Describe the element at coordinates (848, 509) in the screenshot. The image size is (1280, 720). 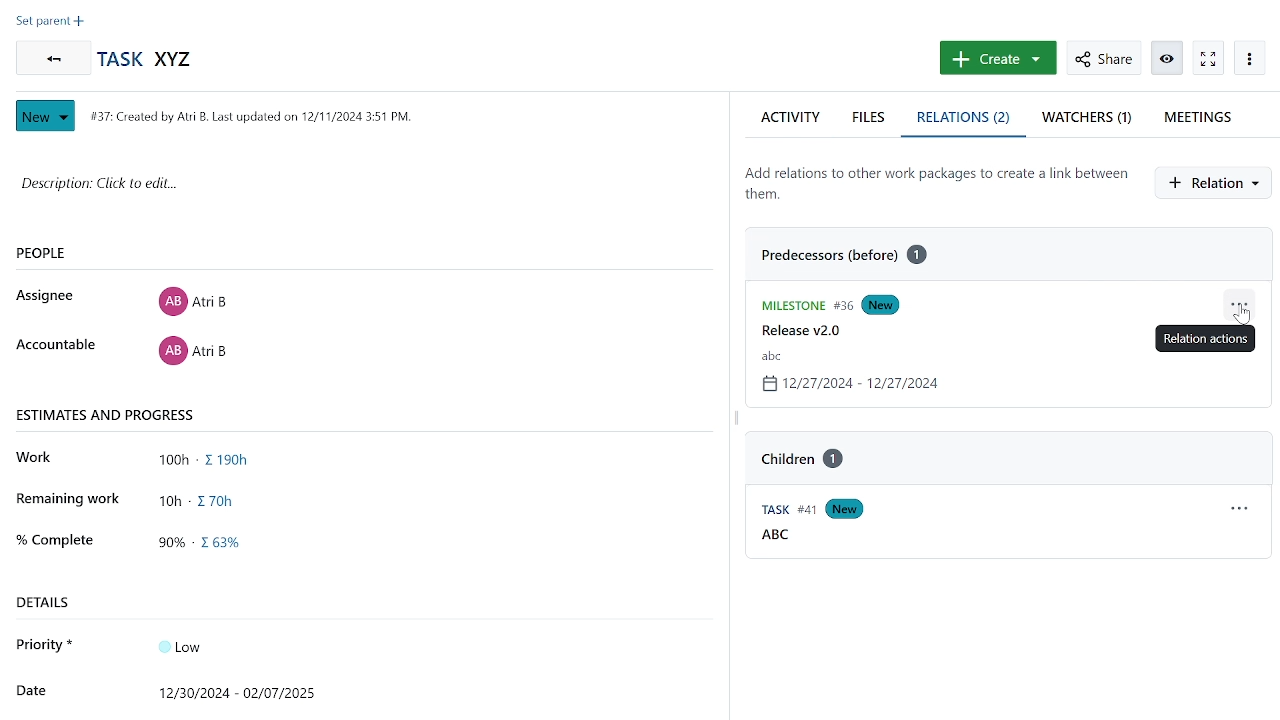
I see `new` at that location.